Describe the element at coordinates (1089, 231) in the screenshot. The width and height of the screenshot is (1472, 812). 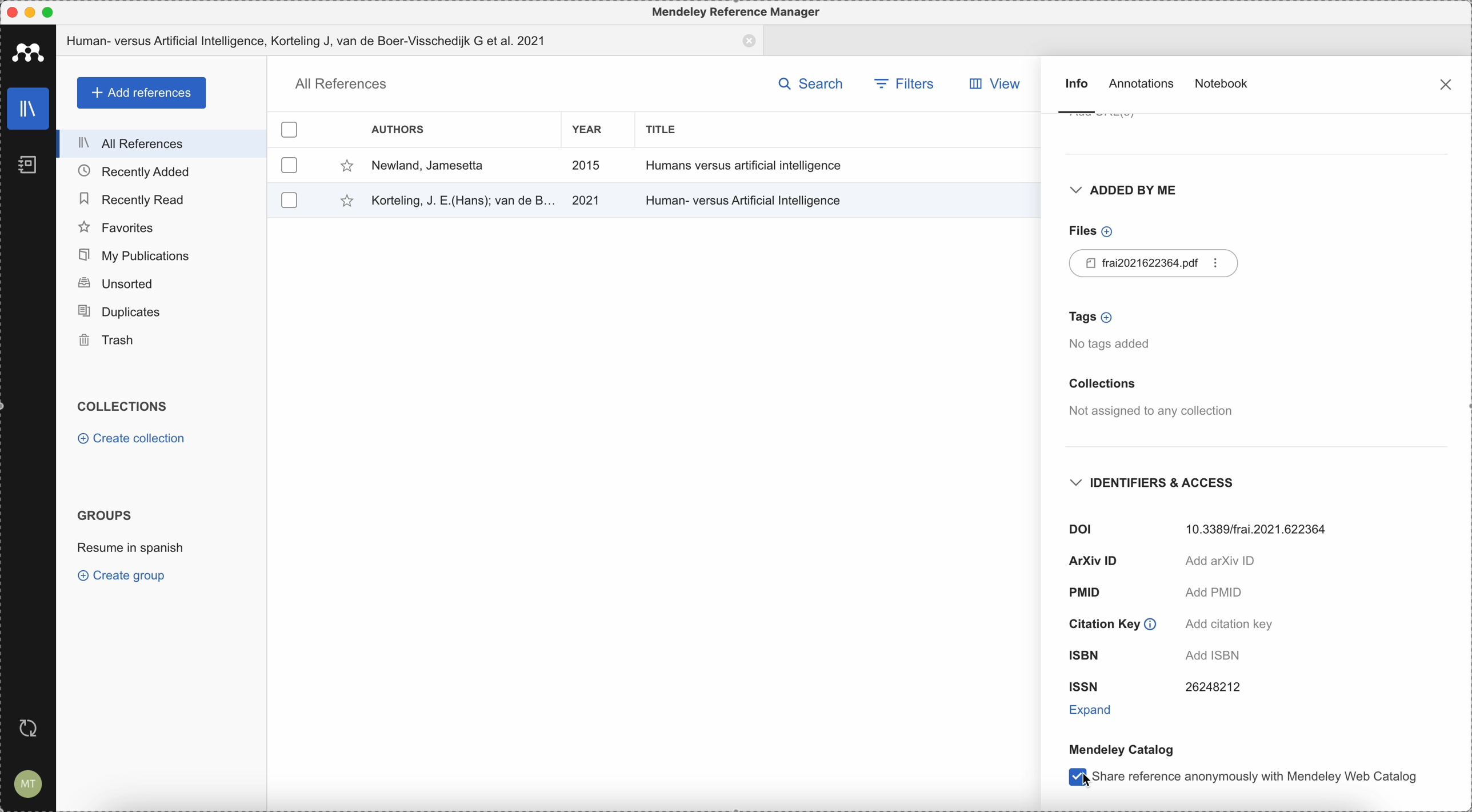
I see `files` at that location.